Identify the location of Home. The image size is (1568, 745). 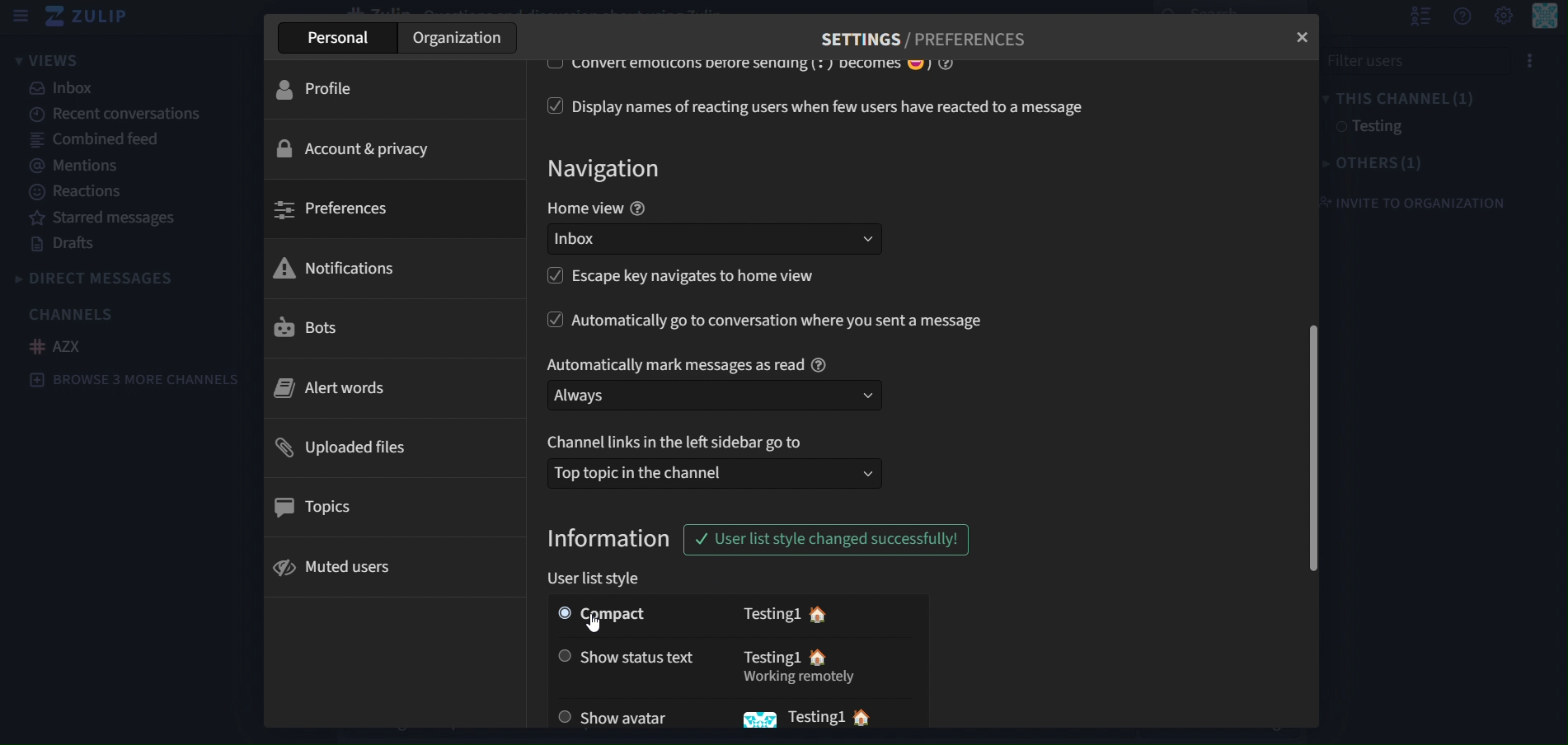
(873, 719).